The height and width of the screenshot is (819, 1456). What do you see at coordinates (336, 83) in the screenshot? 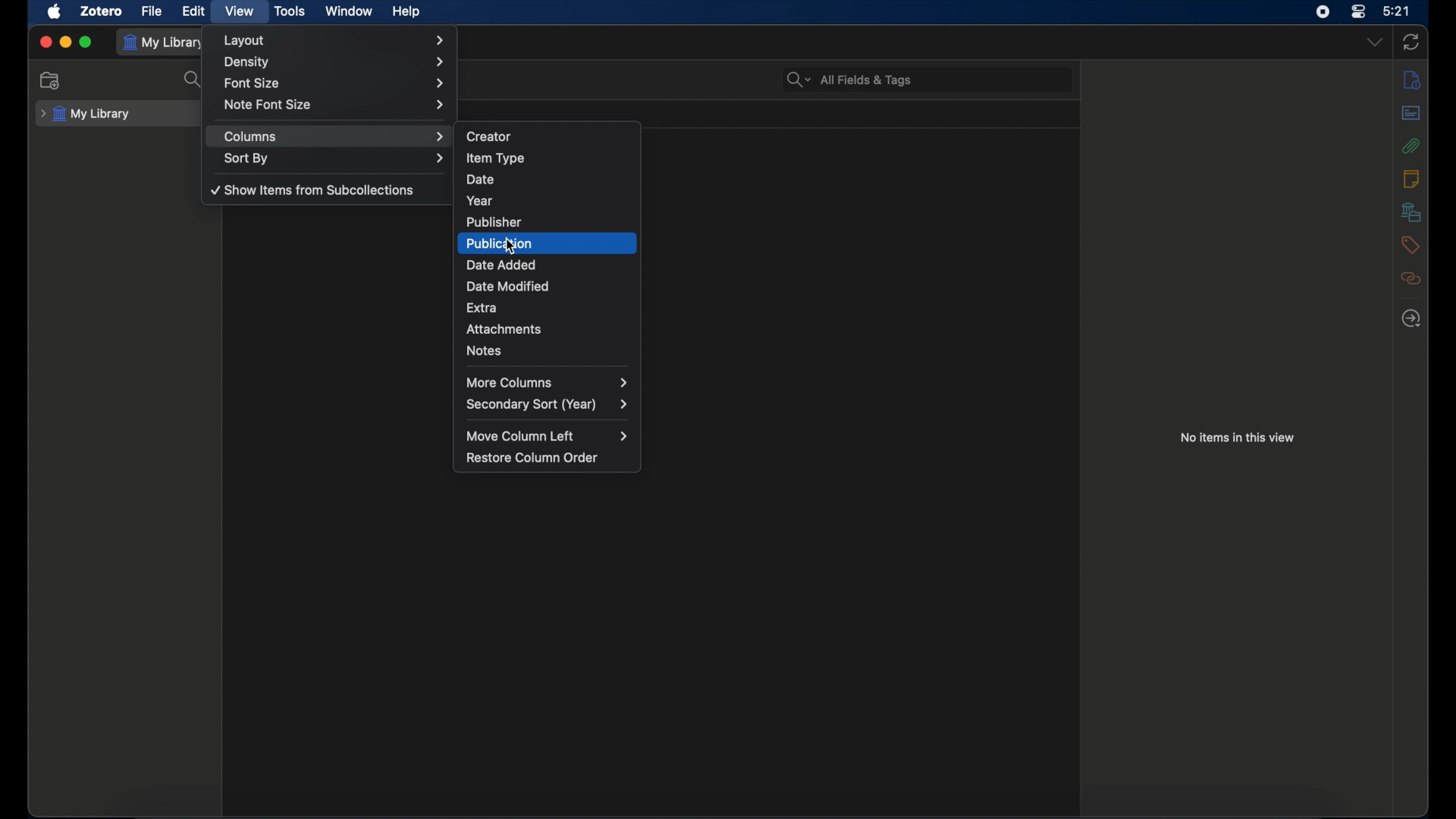
I see `font size` at bounding box center [336, 83].